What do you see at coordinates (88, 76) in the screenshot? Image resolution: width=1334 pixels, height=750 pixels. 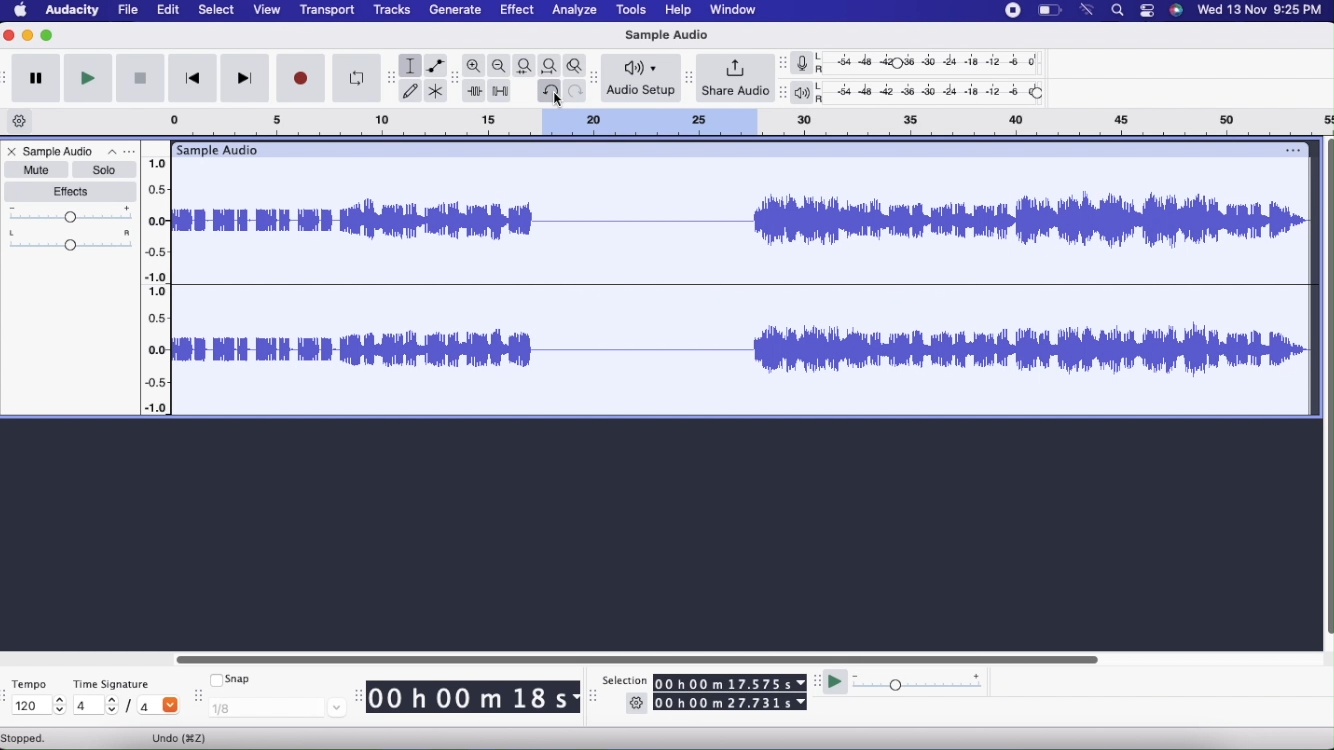 I see `Play` at bounding box center [88, 76].